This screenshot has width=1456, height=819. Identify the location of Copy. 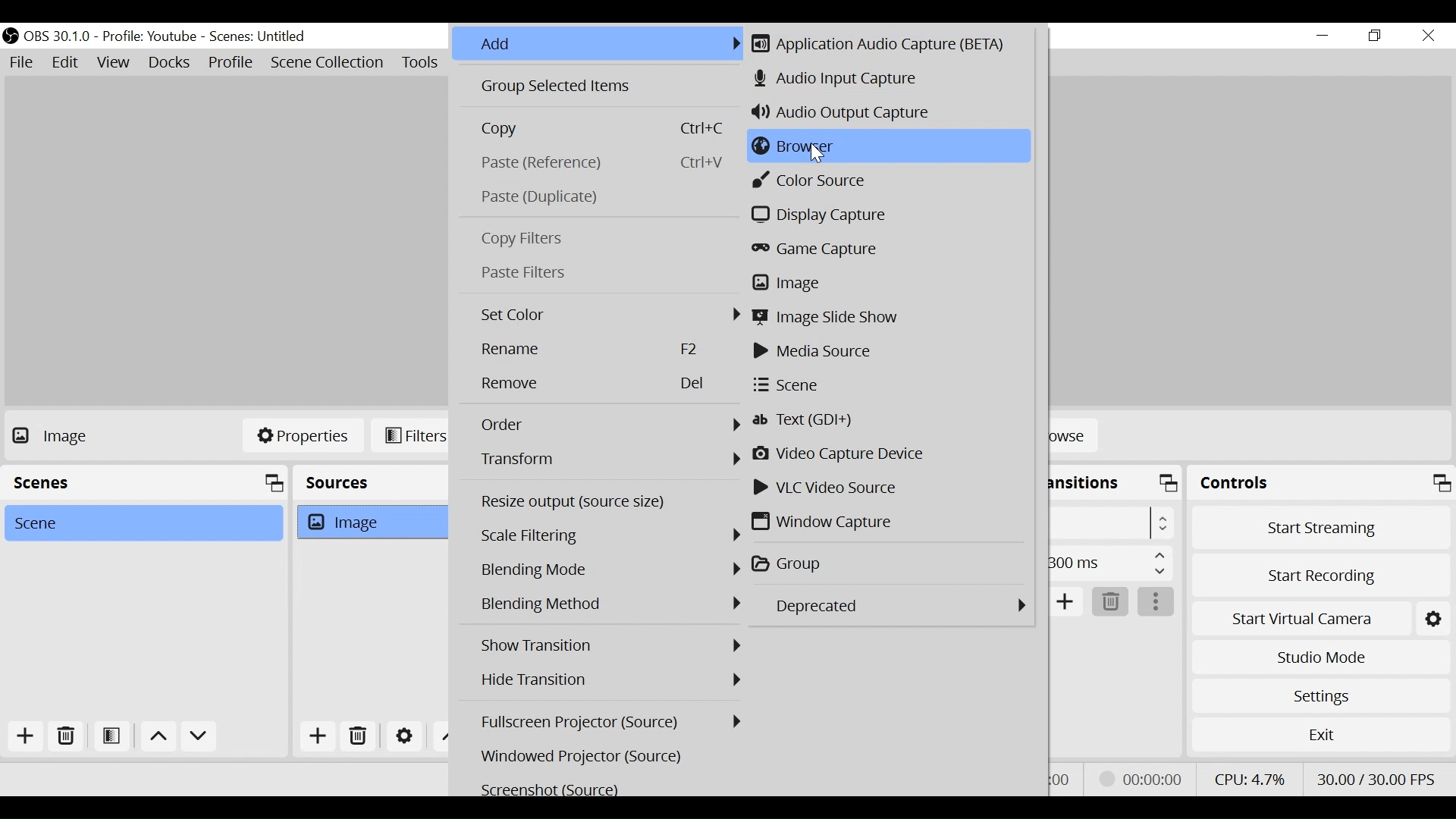
(607, 128).